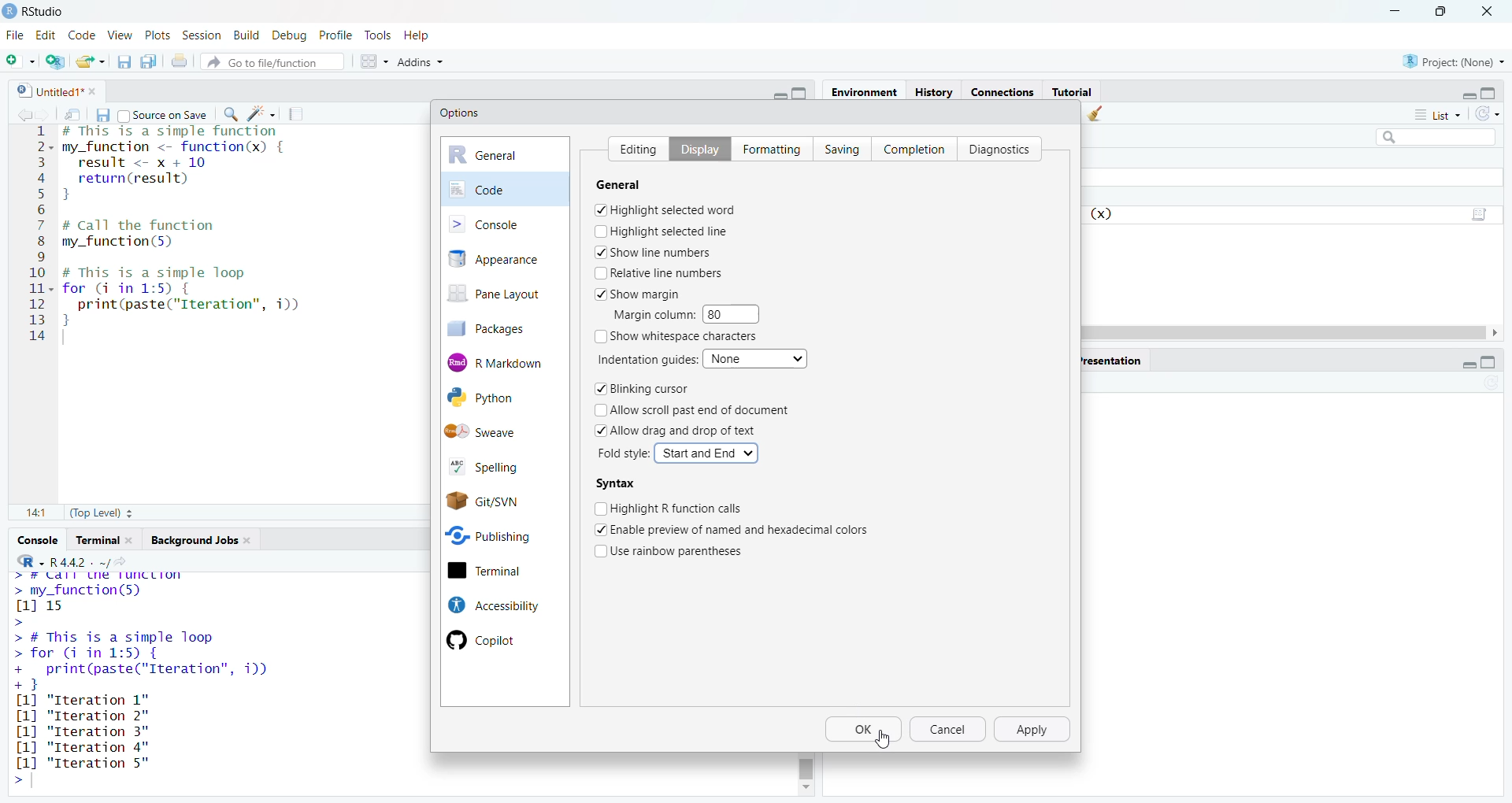  What do you see at coordinates (805, 789) in the screenshot?
I see `move down` at bounding box center [805, 789].